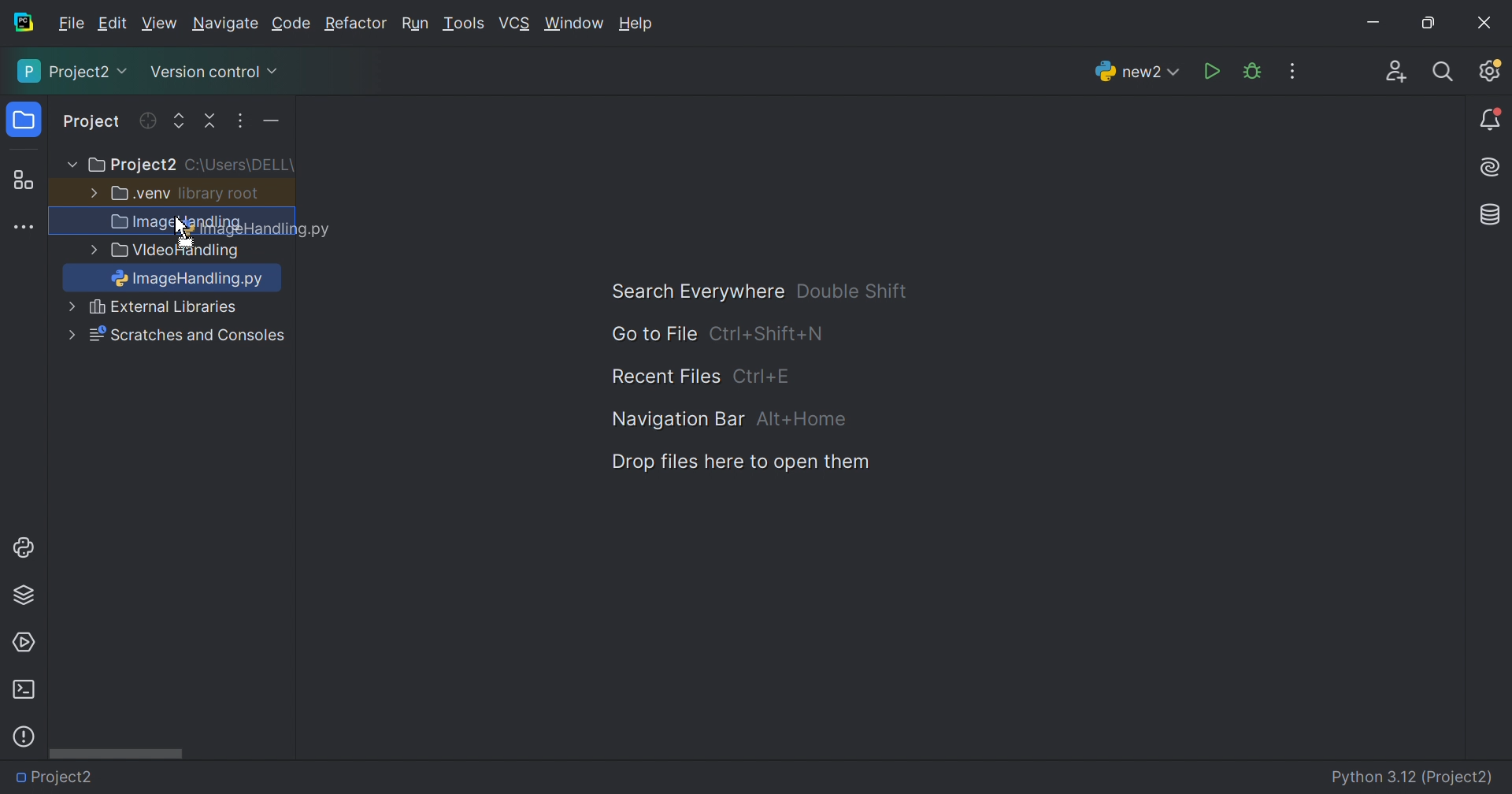  What do you see at coordinates (1492, 168) in the screenshot?
I see `AI Assistant` at bounding box center [1492, 168].